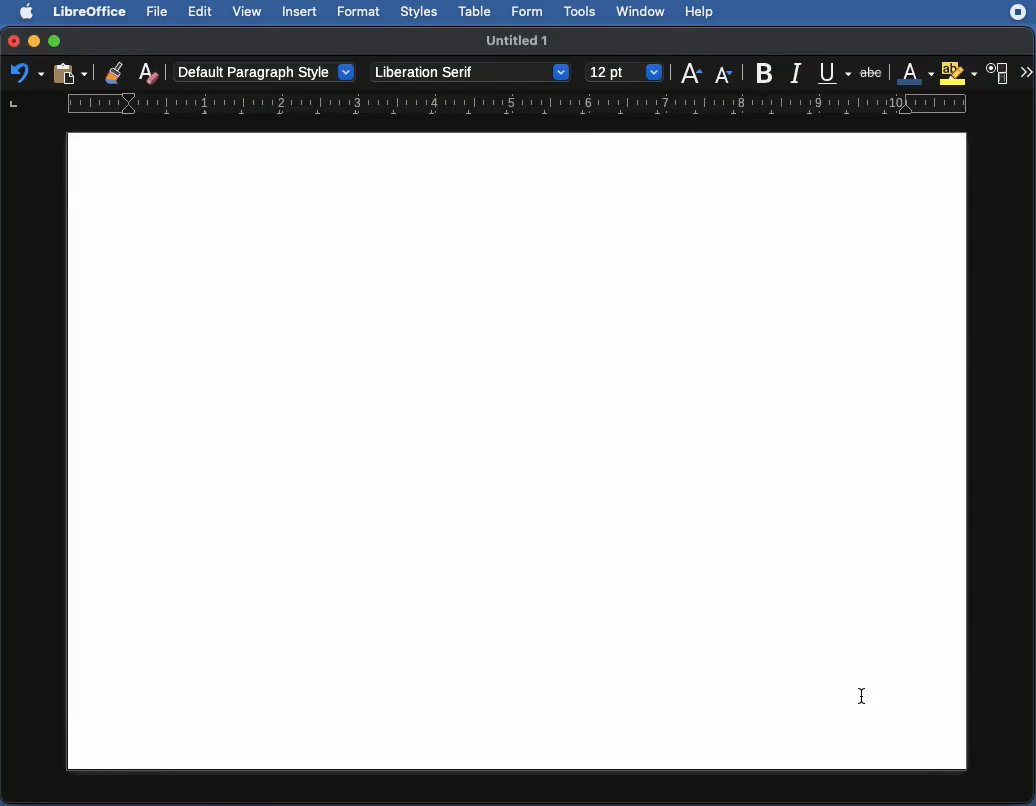  I want to click on Bold, so click(765, 72).